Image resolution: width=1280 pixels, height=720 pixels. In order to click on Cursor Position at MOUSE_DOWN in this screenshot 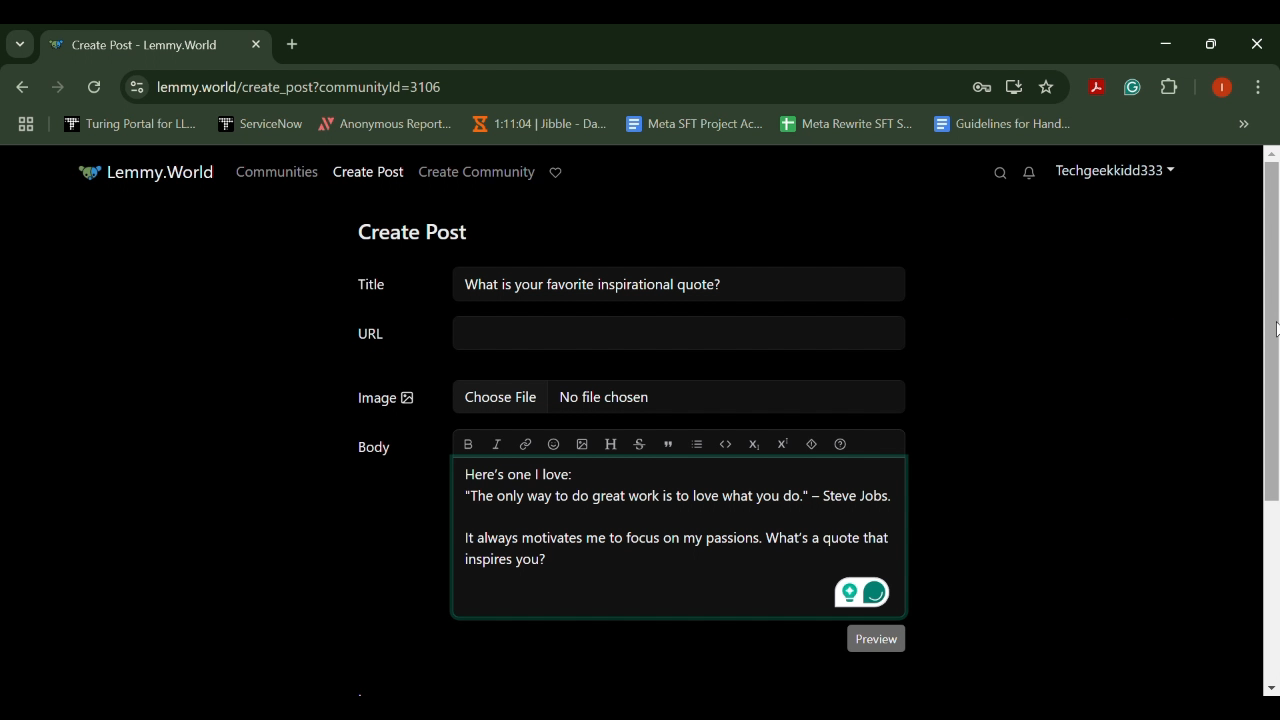, I will do `click(1272, 332)`.